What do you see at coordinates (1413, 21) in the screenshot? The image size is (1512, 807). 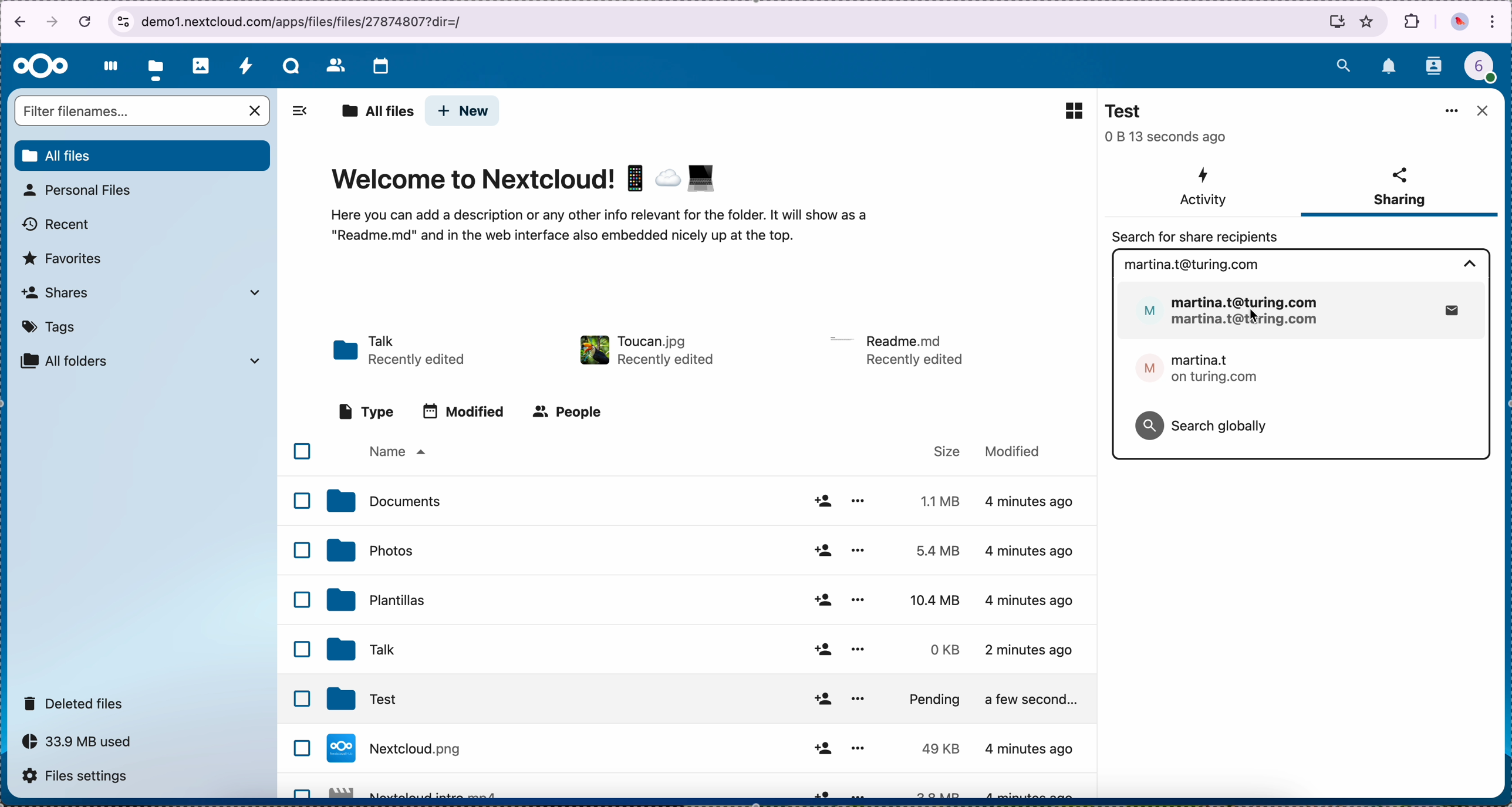 I see `extensions` at bounding box center [1413, 21].